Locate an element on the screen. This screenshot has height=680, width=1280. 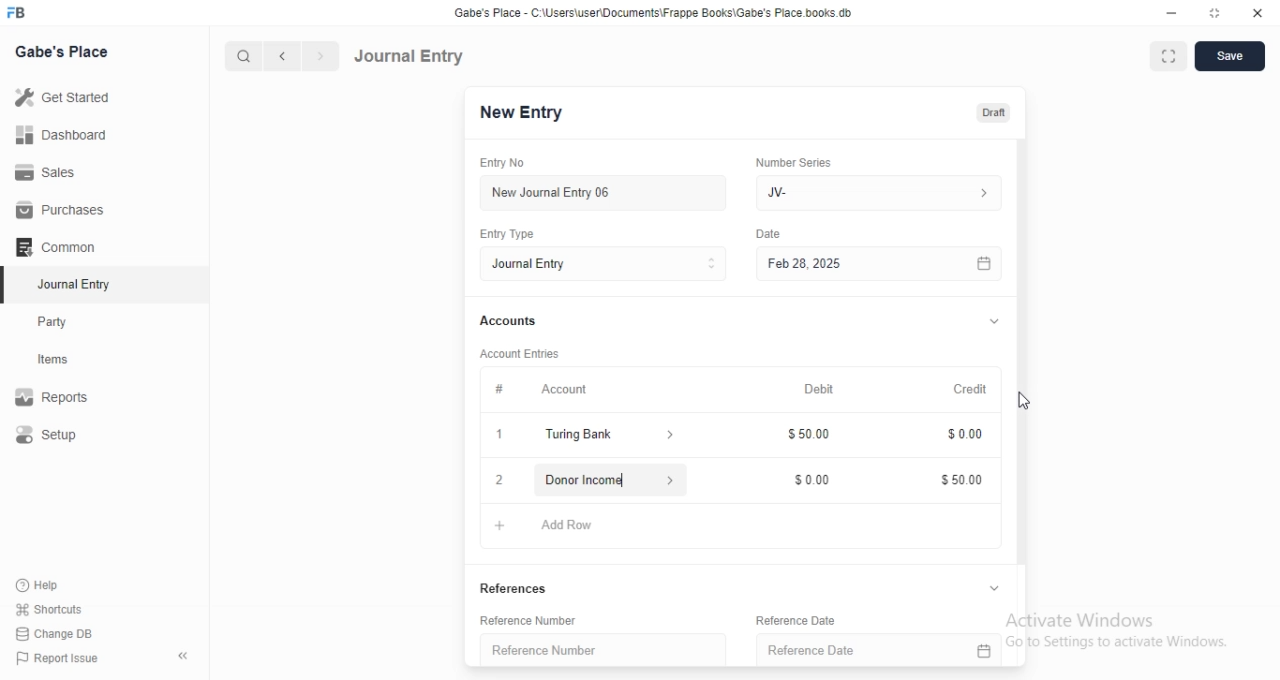
New Entry is located at coordinates (519, 113).